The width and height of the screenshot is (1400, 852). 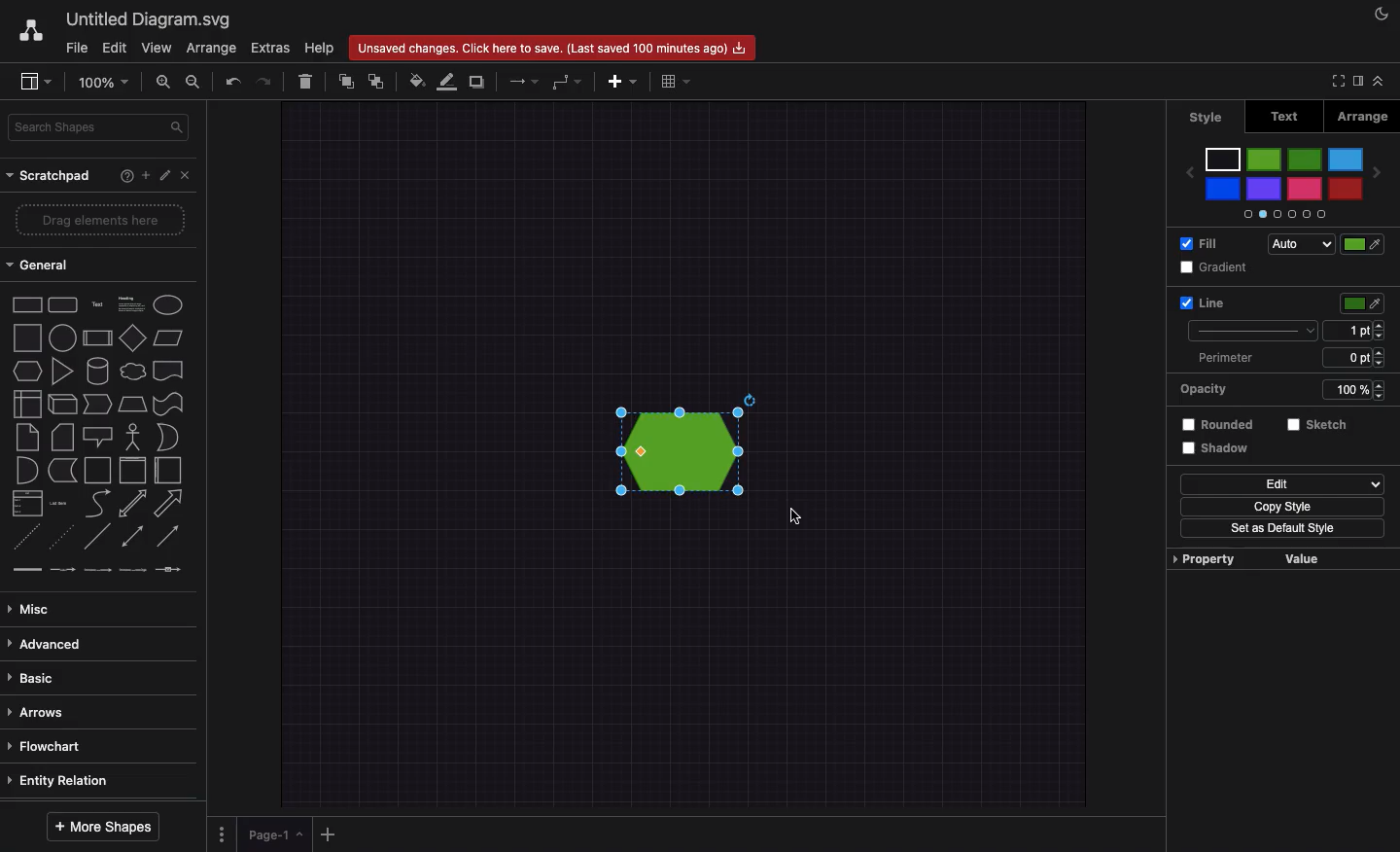 What do you see at coordinates (126, 175) in the screenshot?
I see `Help` at bounding box center [126, 175].